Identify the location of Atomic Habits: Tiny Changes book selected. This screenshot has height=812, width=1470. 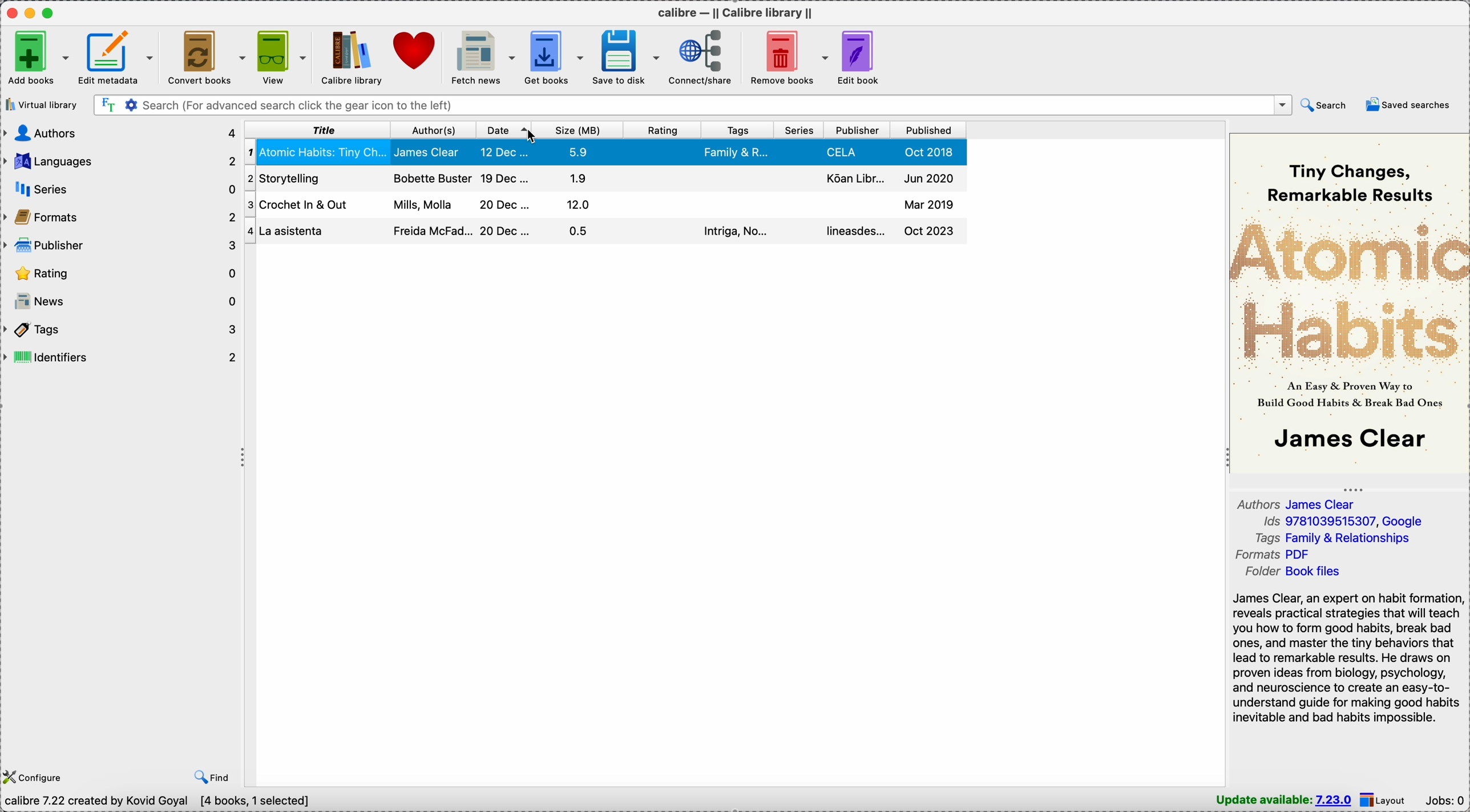
(601, 152).